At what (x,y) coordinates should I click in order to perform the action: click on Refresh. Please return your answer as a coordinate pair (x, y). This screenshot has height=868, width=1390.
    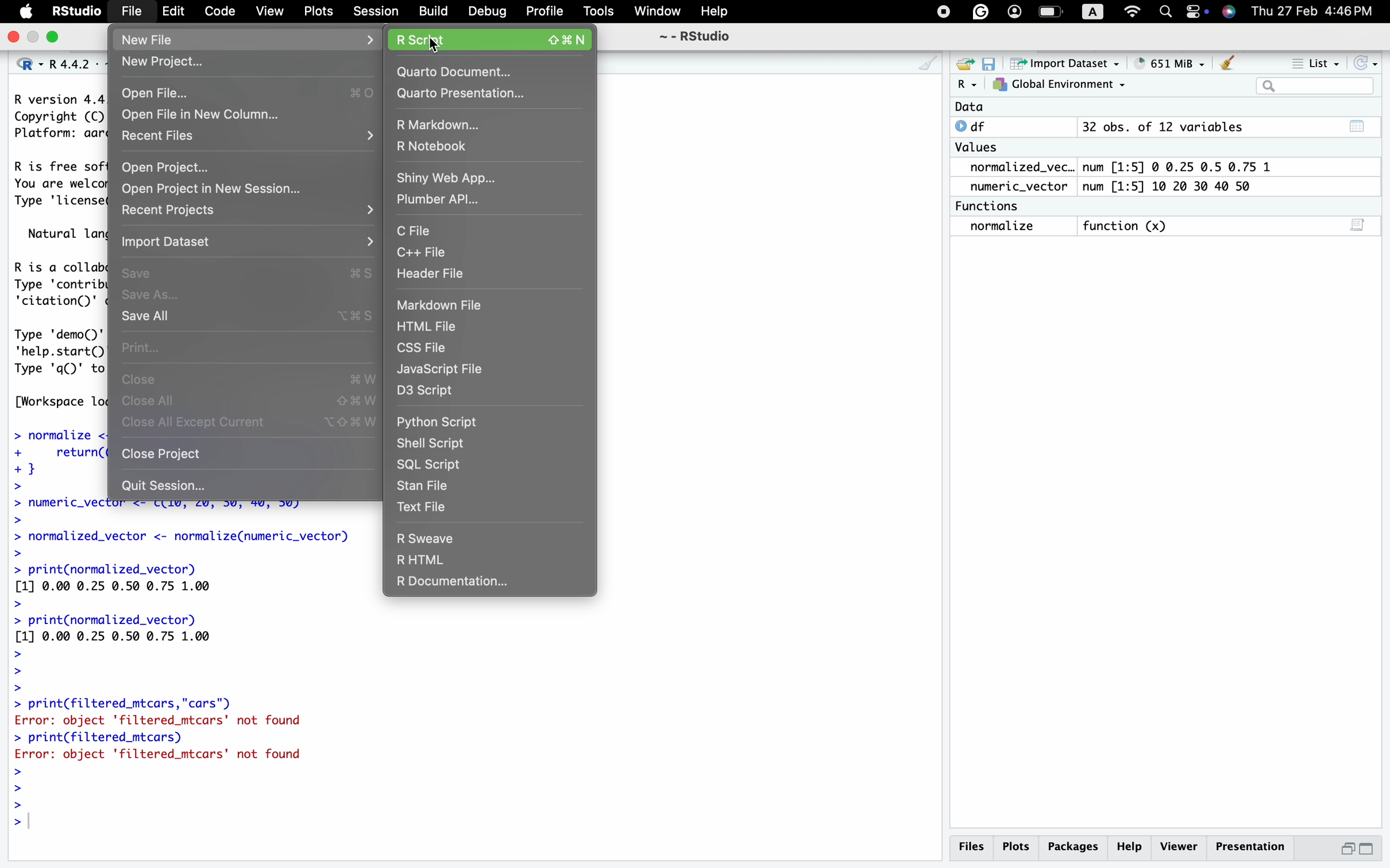
    Looking at the image, I should click on (1369, 61).